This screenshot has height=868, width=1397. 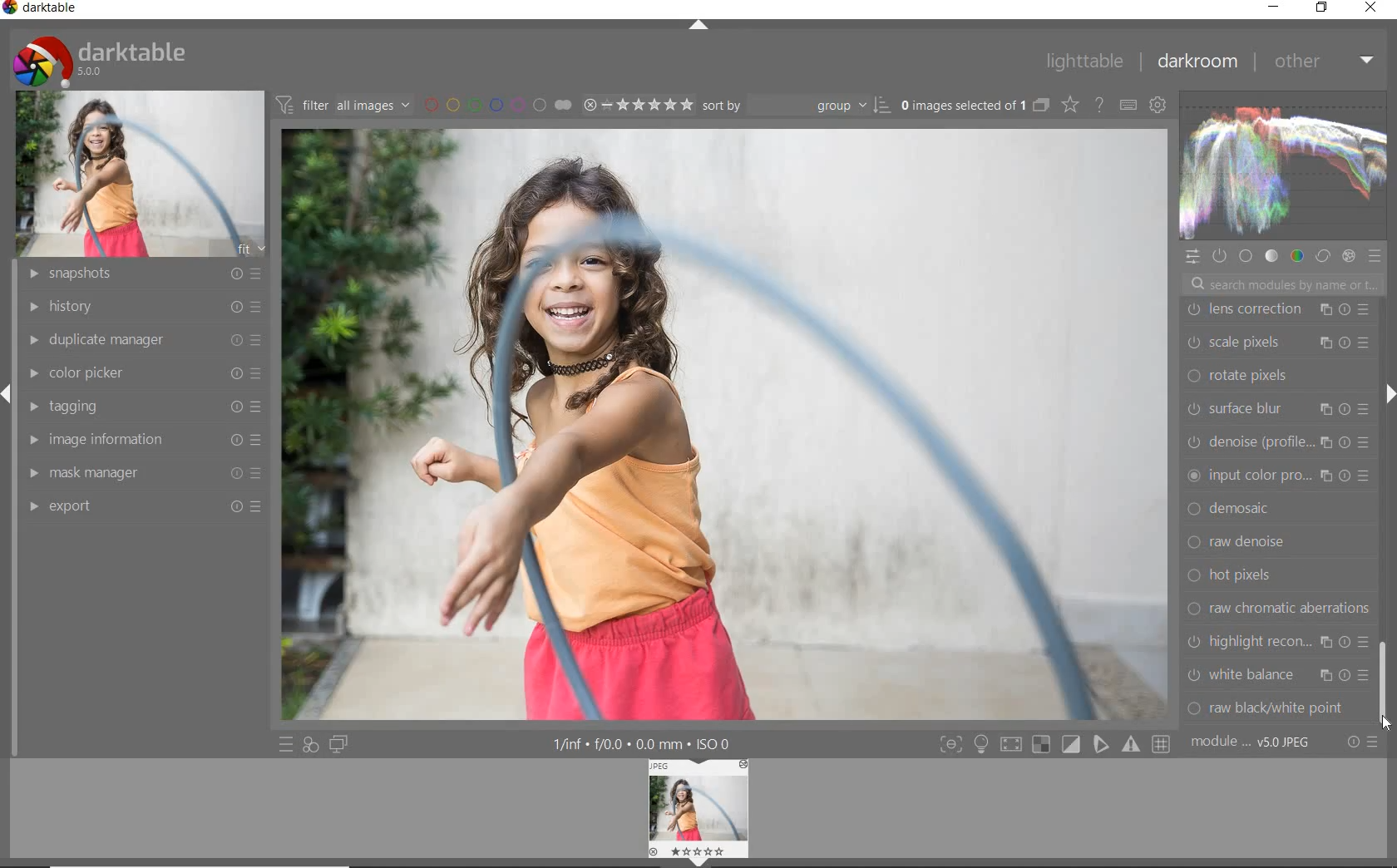 What do you see at coordinates (1273, 6) in the screenshot?
I see `minimize` at bounding box center [1273, 6].